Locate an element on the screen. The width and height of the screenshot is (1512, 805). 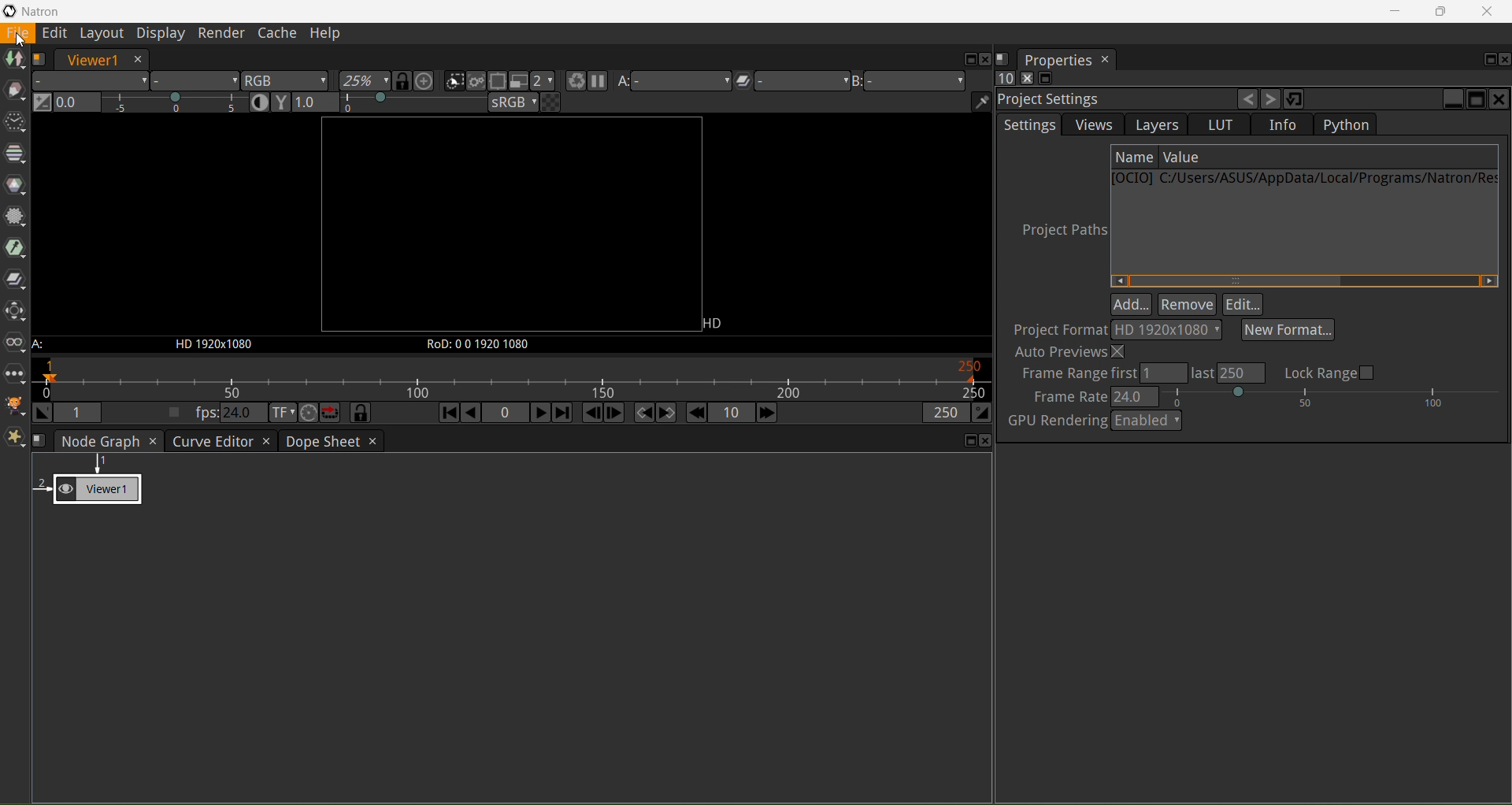
The playback range is located at coordinates (512, 380).